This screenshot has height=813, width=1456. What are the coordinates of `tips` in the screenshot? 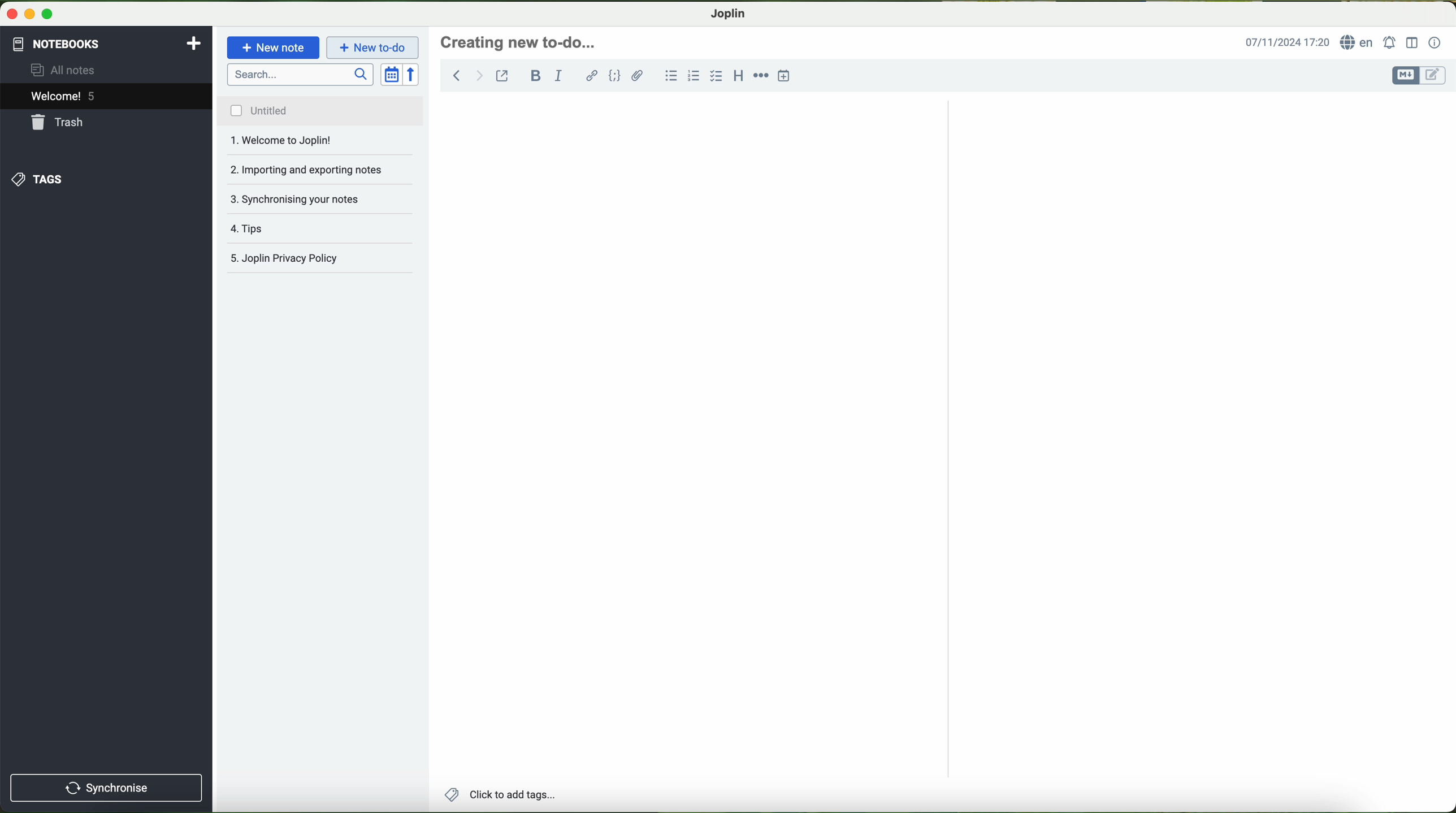 It's located at (320, 199).